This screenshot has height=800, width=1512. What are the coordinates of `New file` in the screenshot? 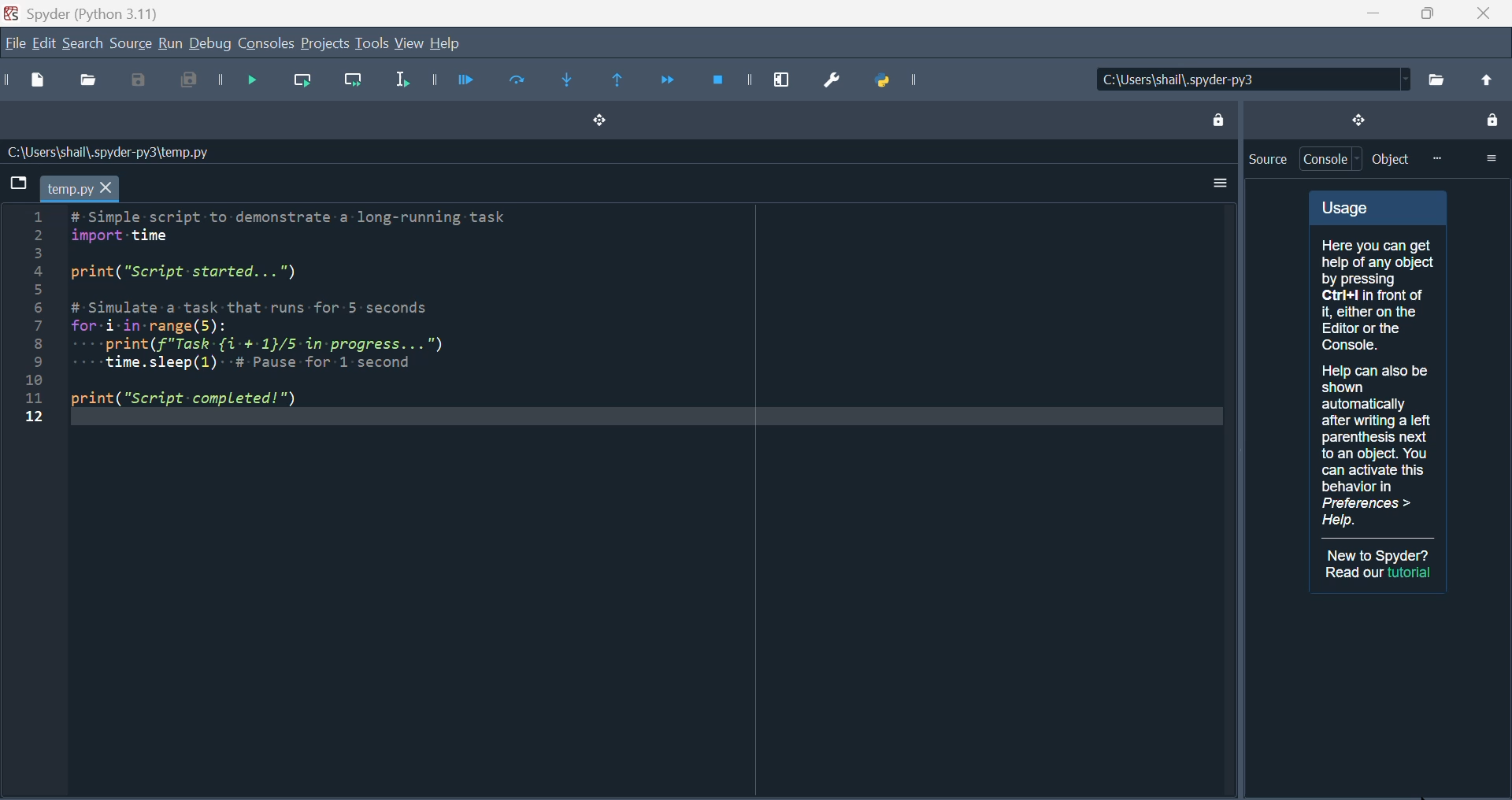 It's located at (41, 83).